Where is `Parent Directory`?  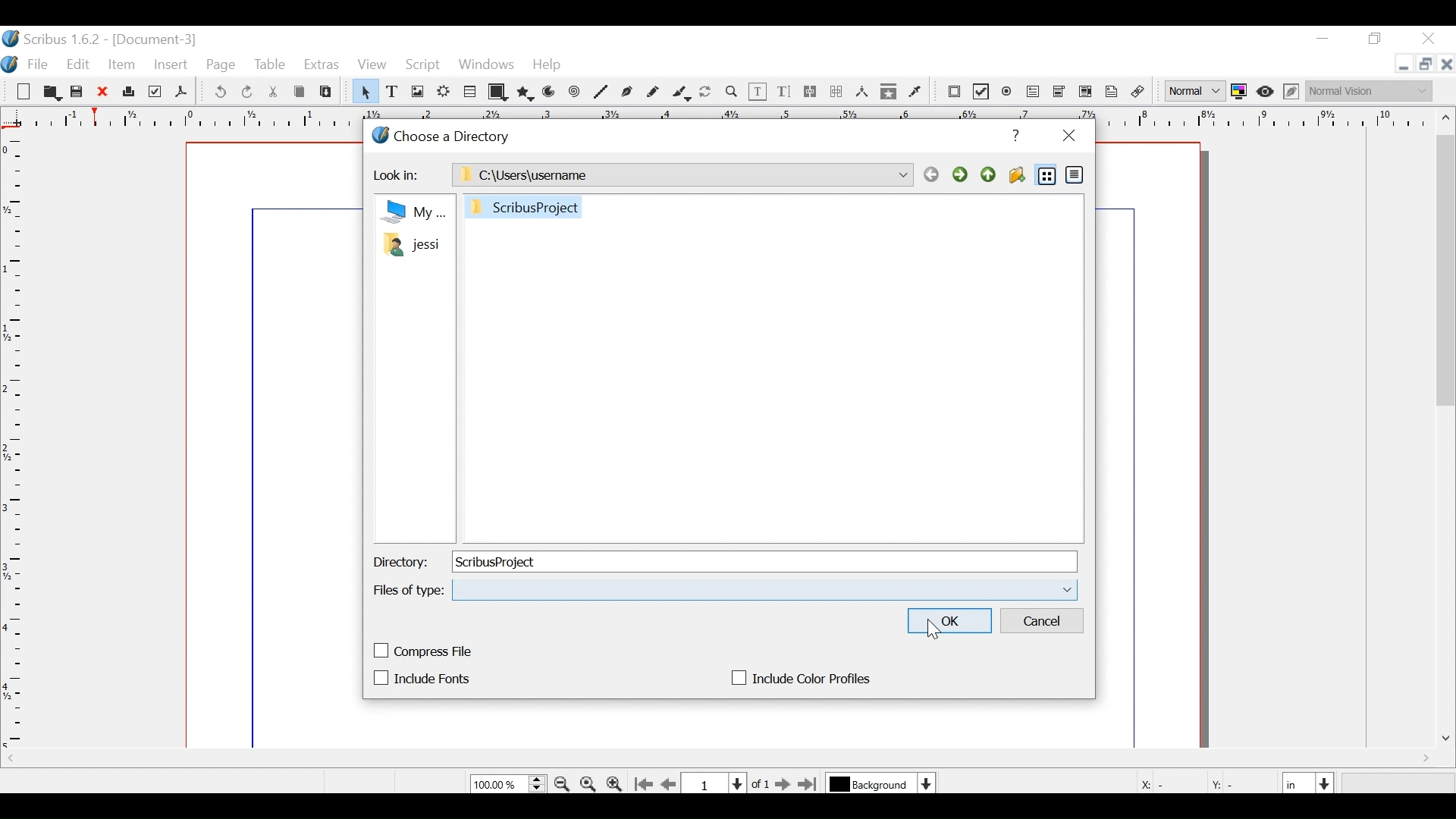 Parent Directory is located at coordinates (988, 174).